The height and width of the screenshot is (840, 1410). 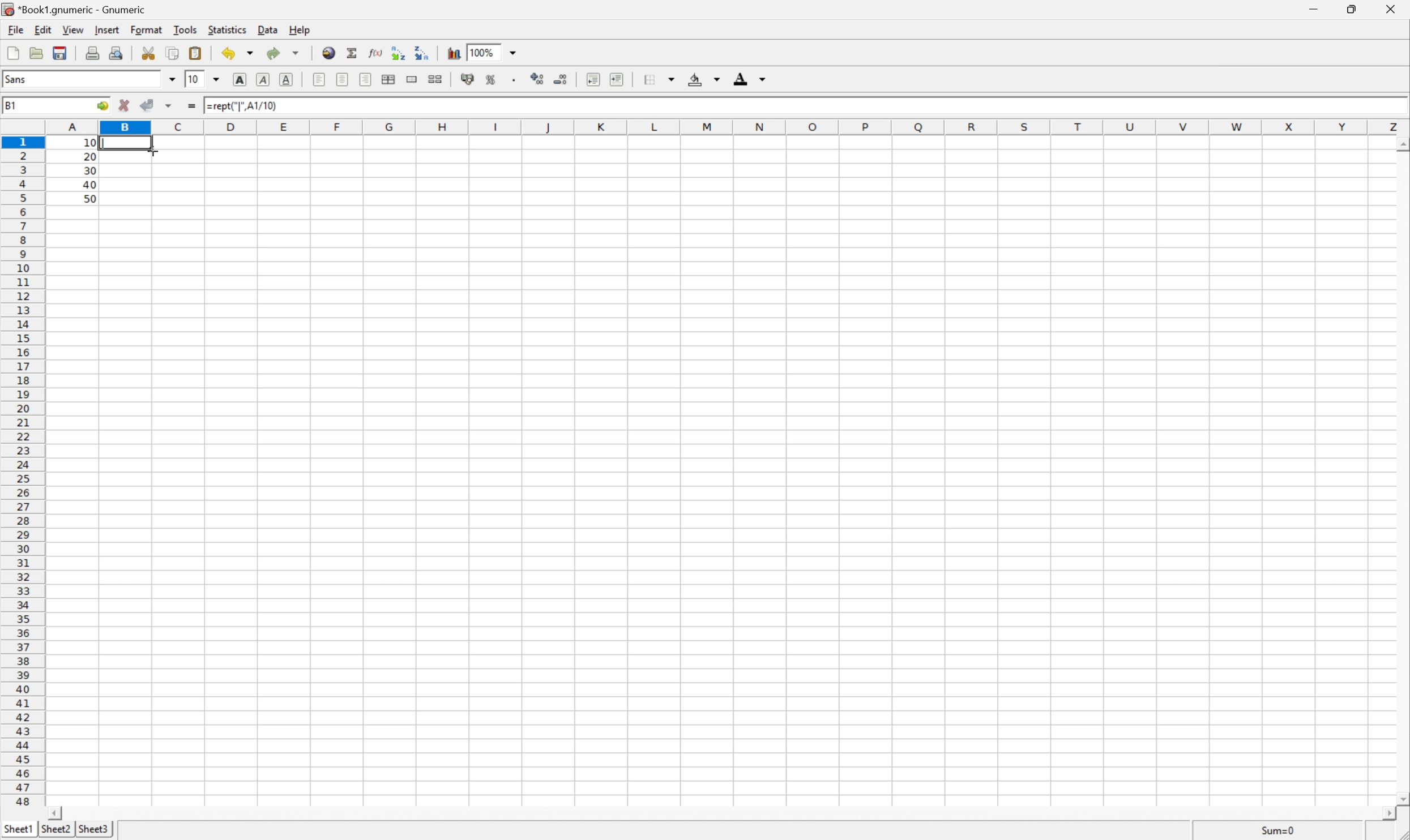 I want to click on Scroll Up, so click(x=1401, y=145).